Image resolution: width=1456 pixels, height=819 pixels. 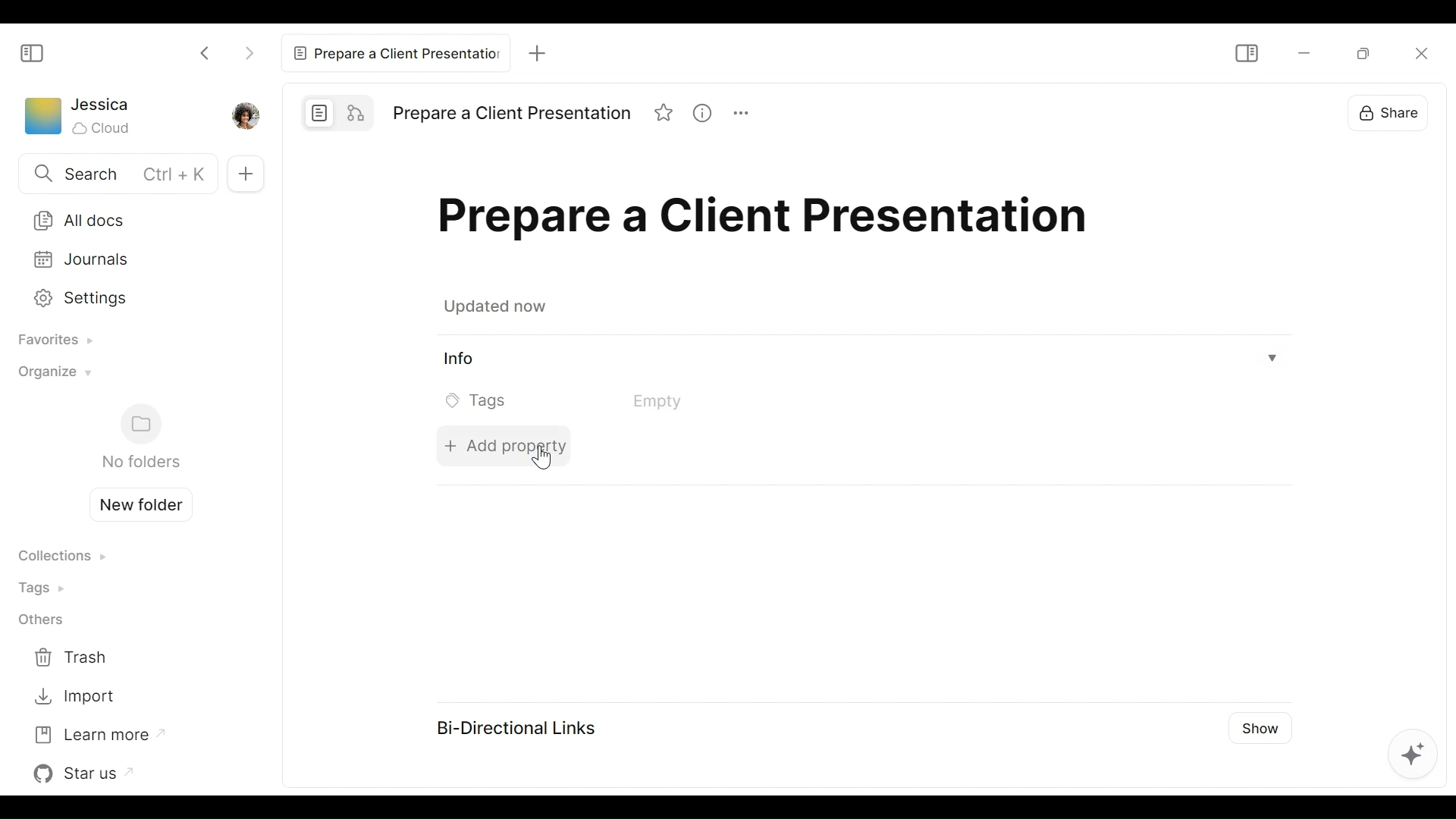 What do you see at coordinates (46, 587) in the screenshot?
I see `Tags` at bounding box center [46, 587].